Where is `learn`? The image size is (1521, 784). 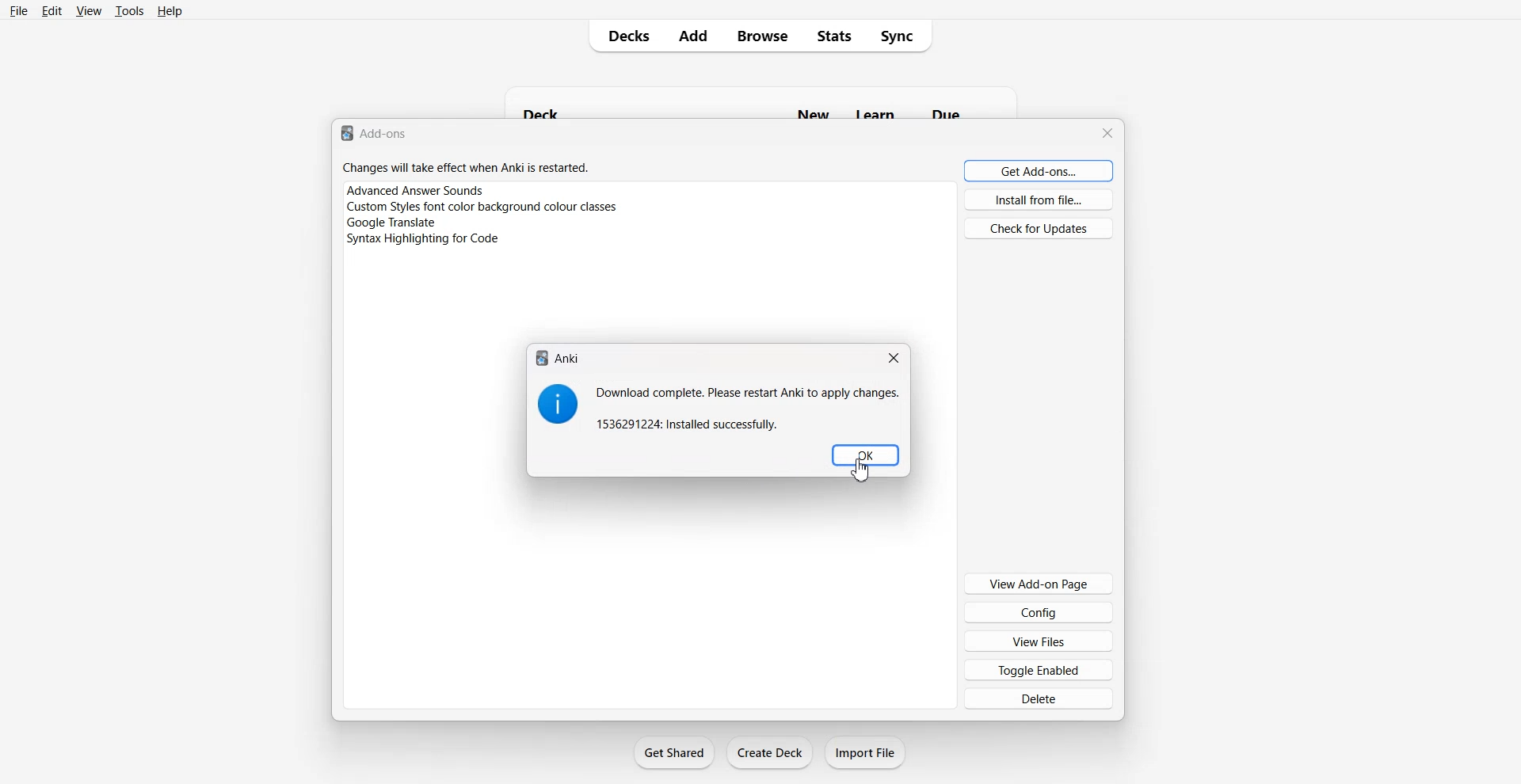 learn is located at coordinates (872, 113).